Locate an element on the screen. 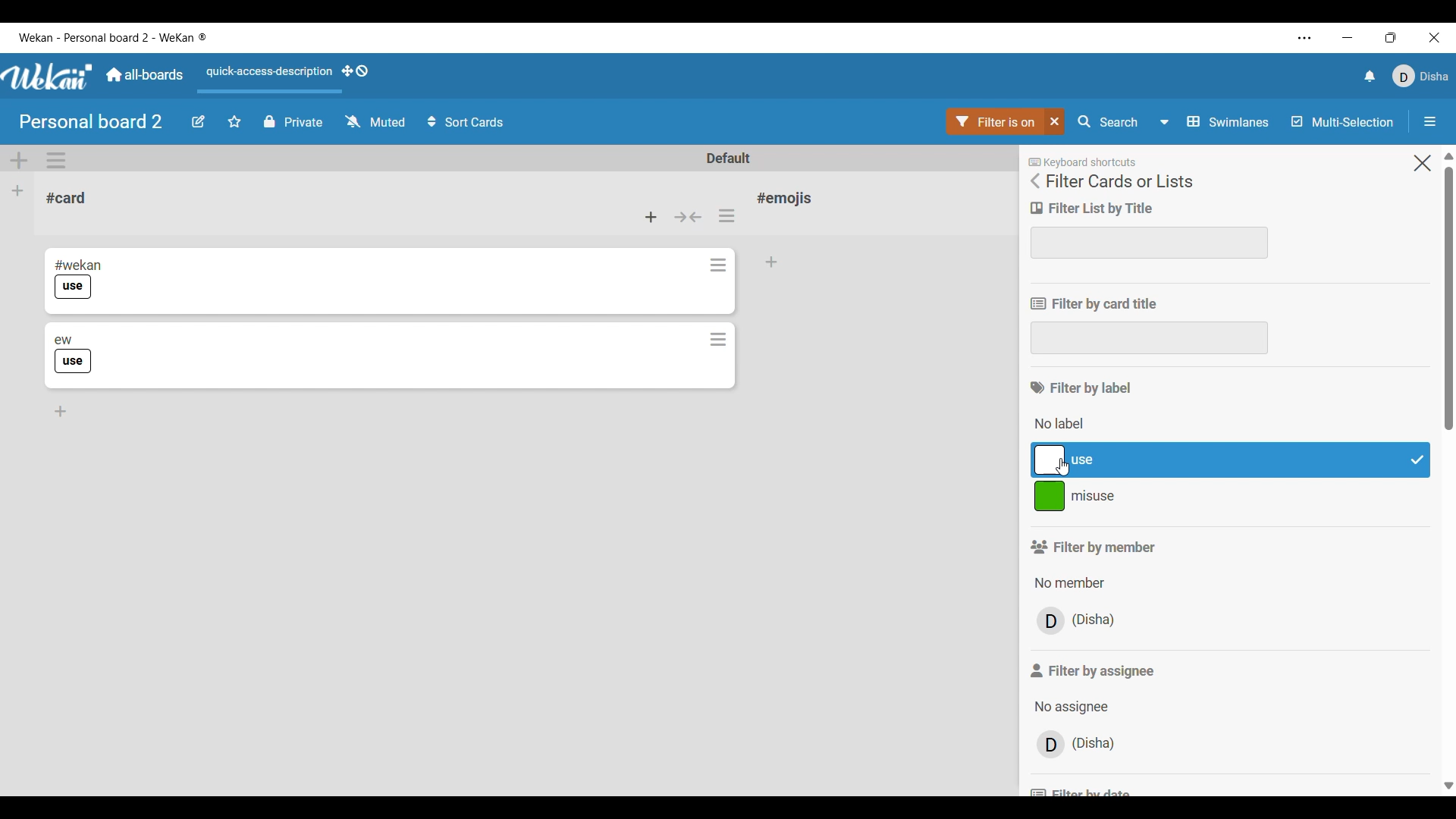  Current account is located at coordinates (1420, 76).